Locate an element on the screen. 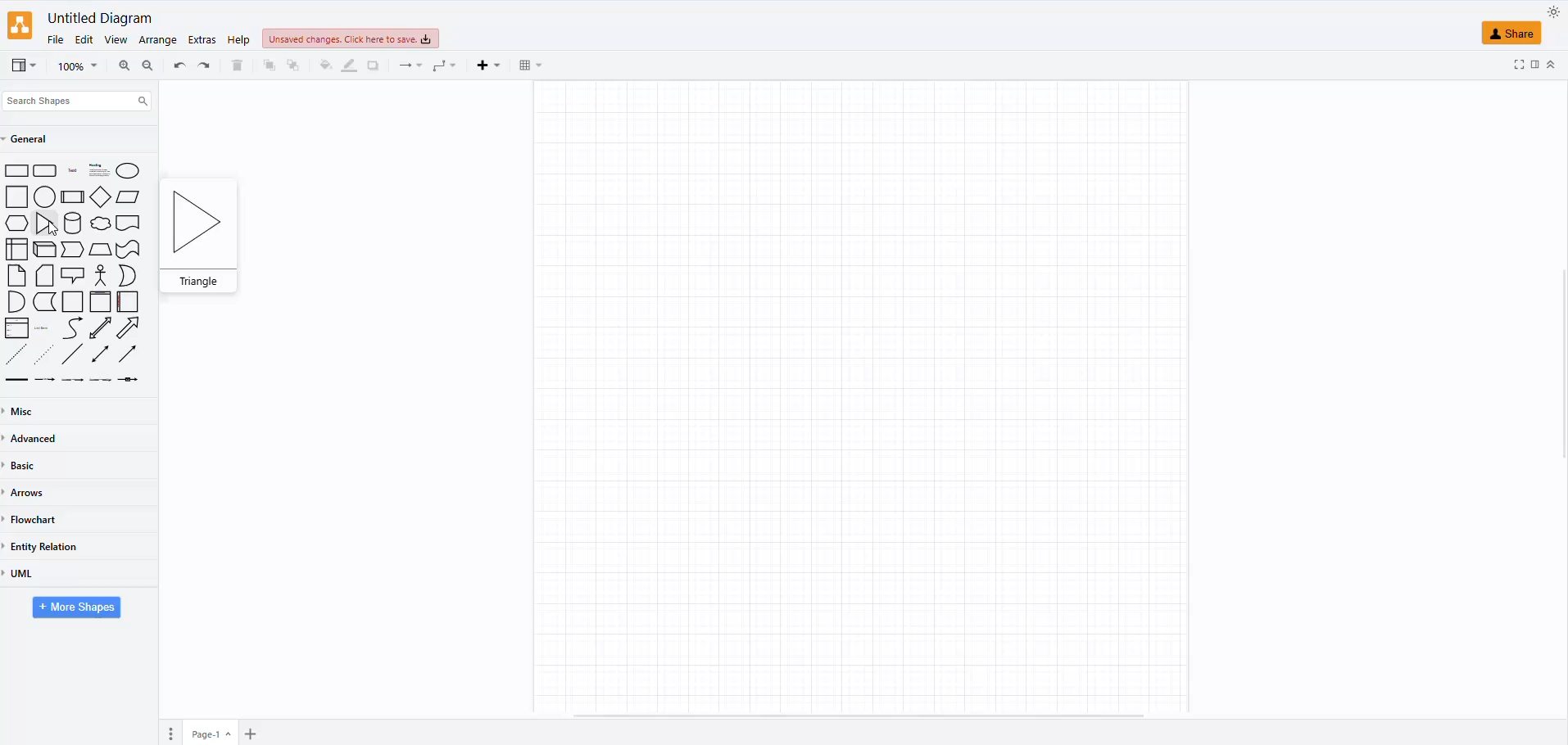  Rounded Box is located at coordinates (46, 170).